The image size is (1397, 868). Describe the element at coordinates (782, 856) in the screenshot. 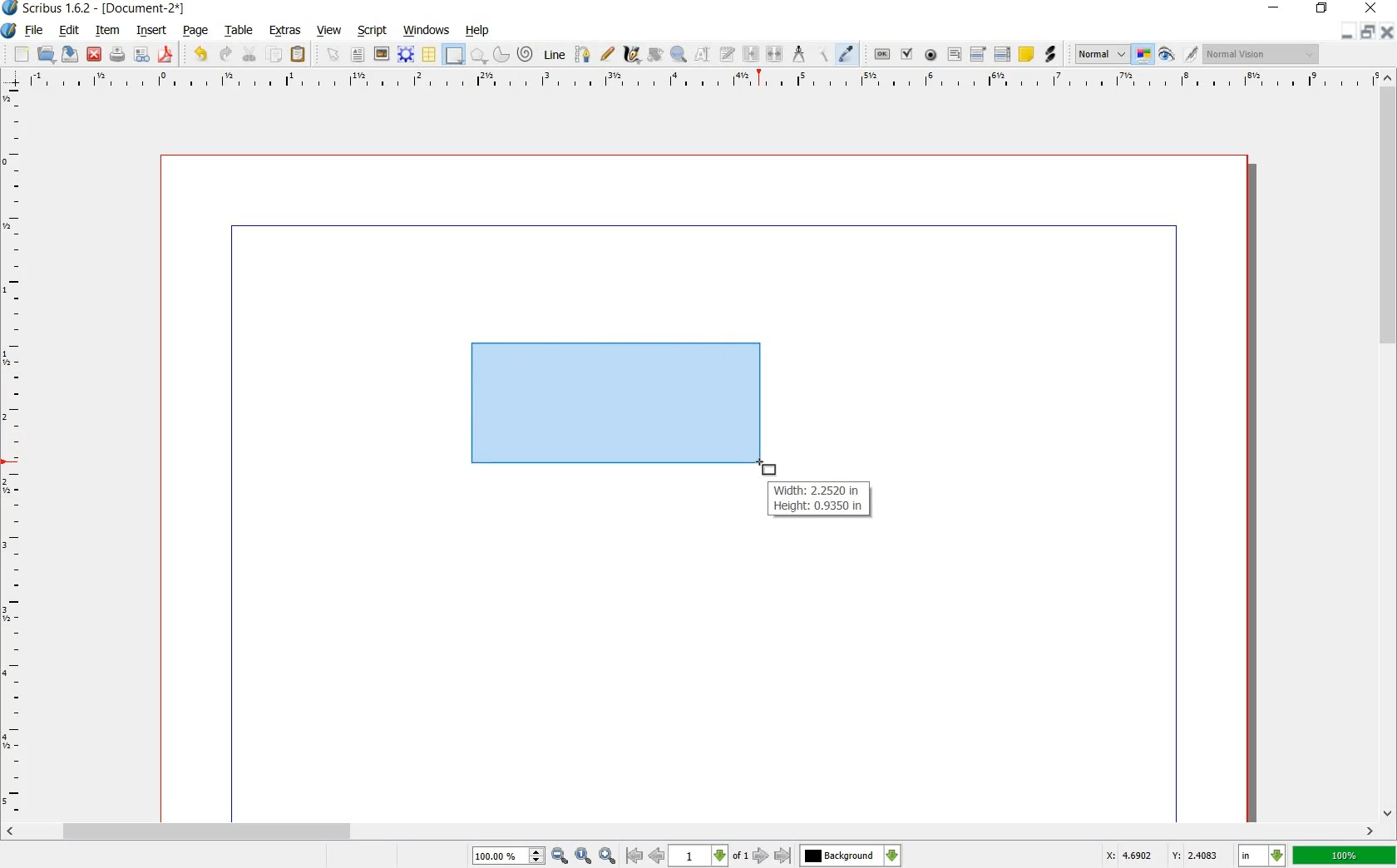

I see `go to last page` at that location.